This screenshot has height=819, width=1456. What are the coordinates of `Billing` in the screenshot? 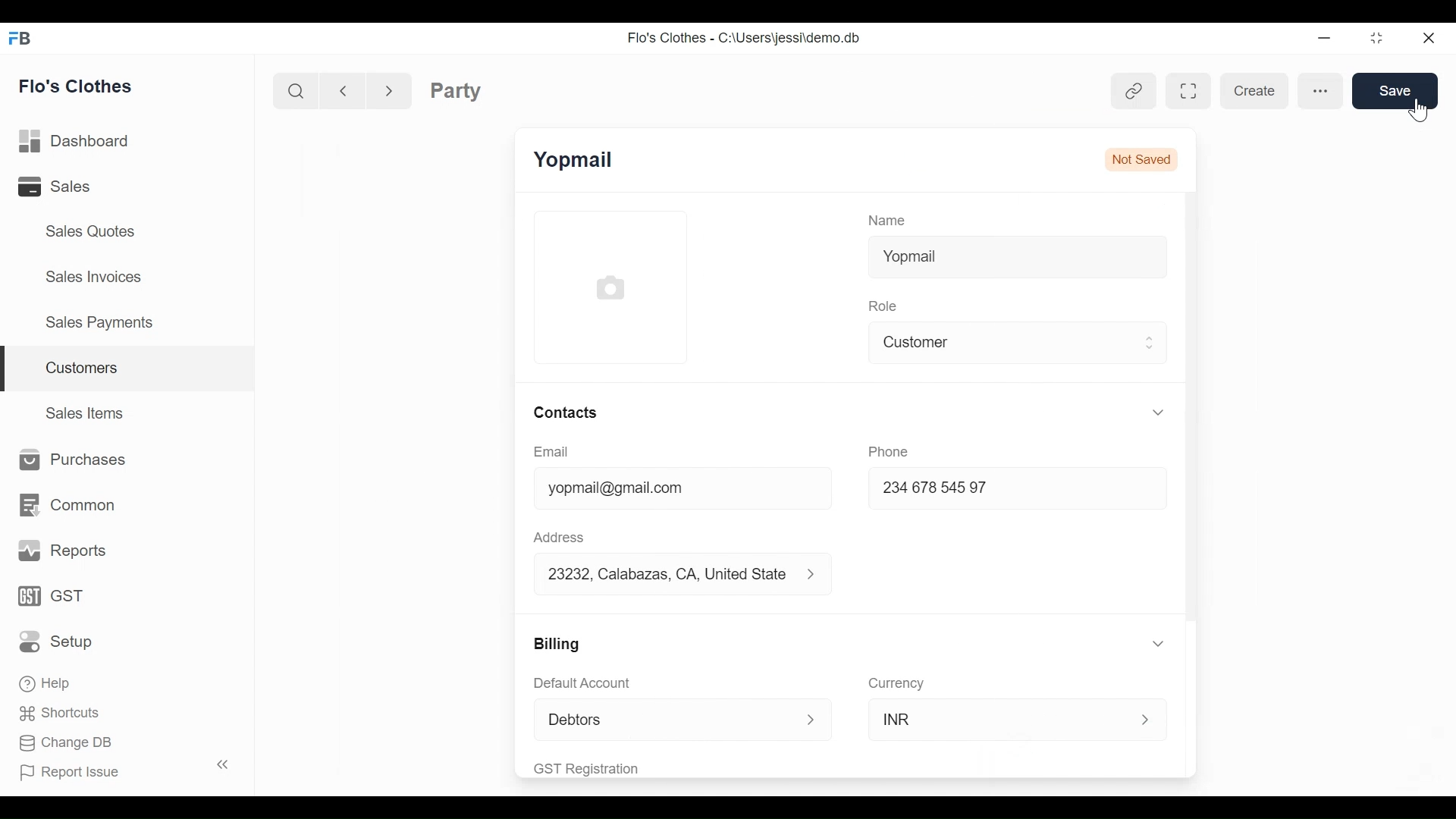 It's located at (558, 644).